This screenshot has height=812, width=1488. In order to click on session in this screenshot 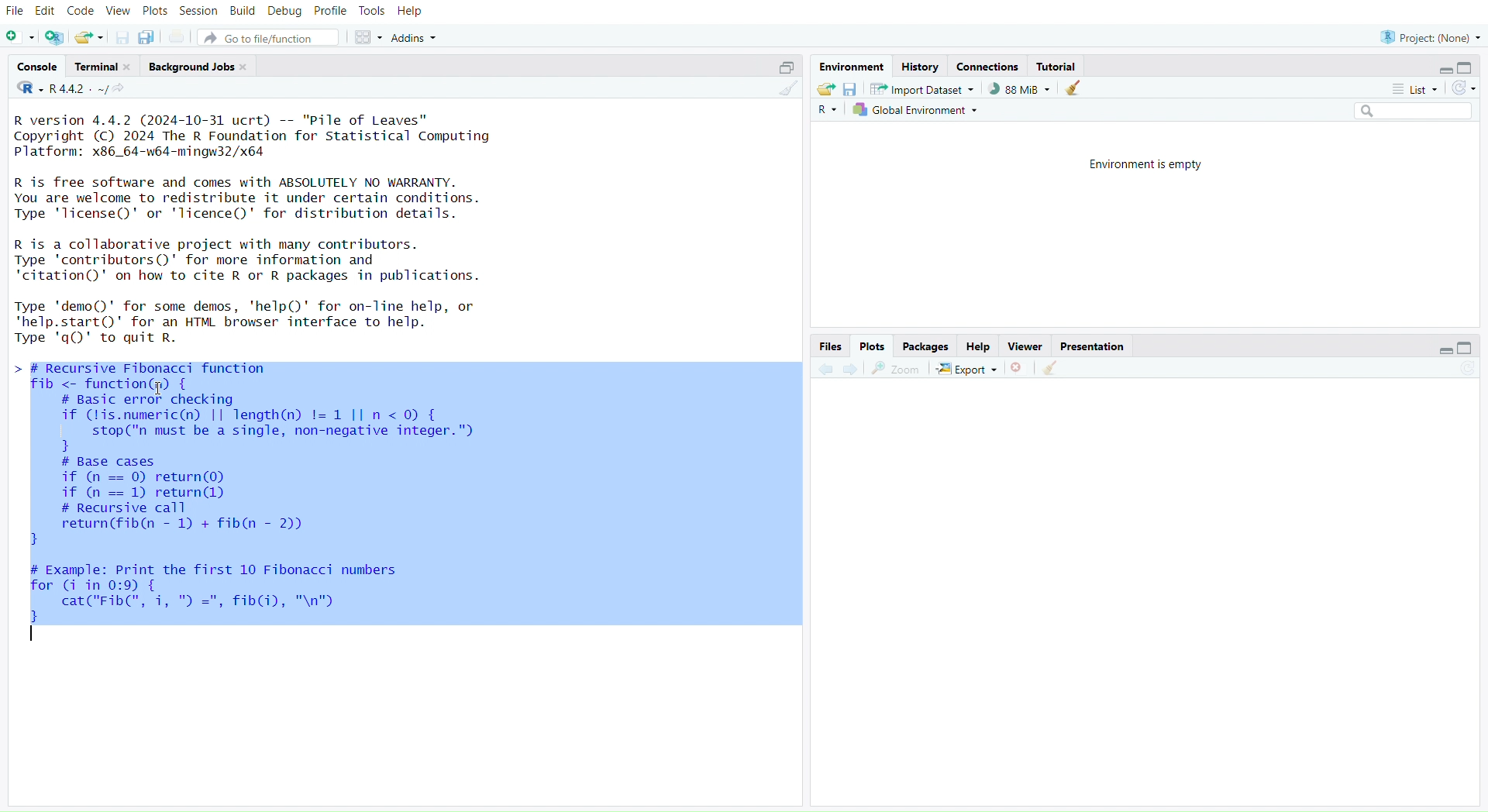, I will do `click(198, 12)`.